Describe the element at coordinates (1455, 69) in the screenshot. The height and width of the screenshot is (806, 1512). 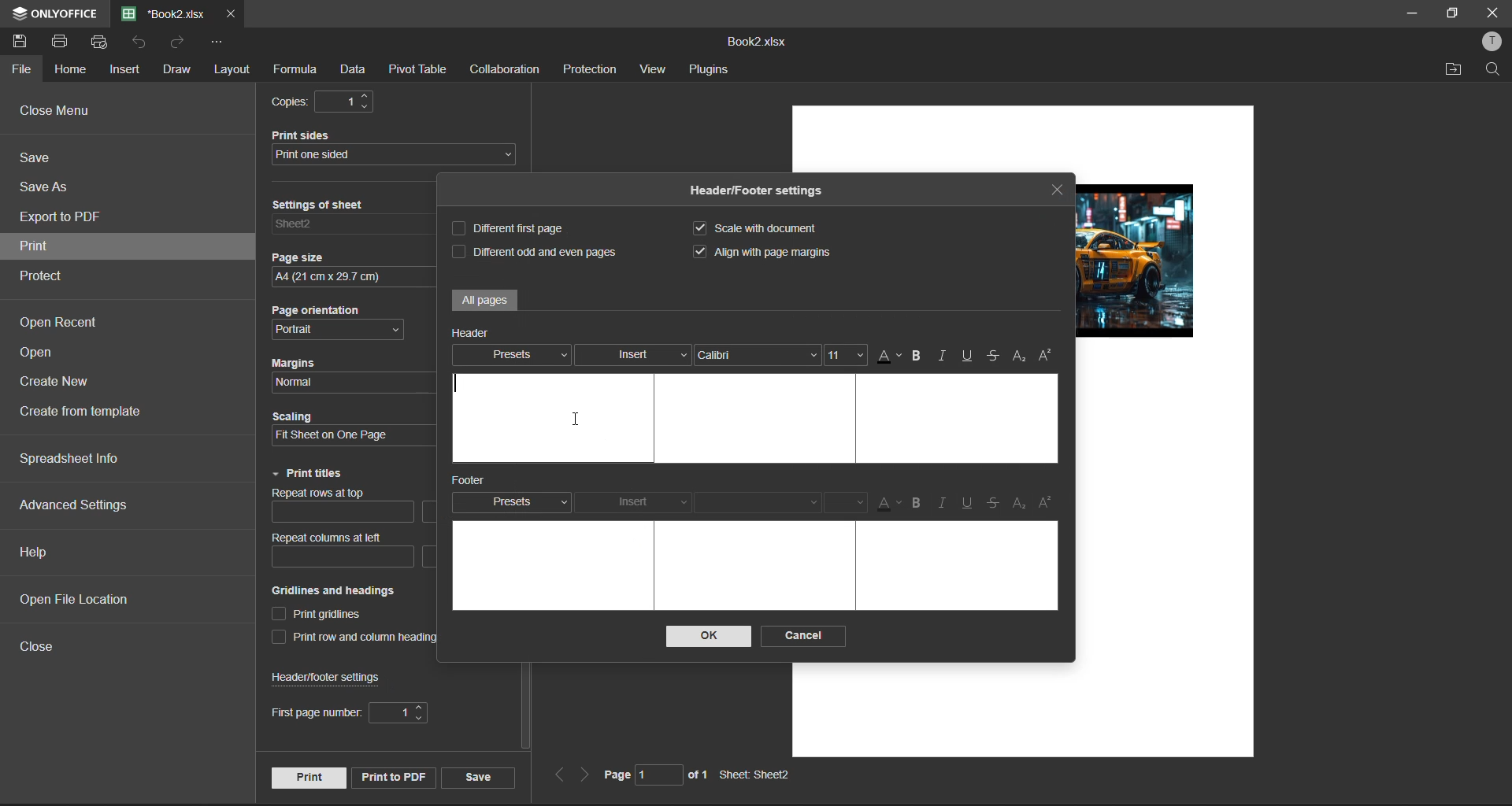
I see `open location` at that location.